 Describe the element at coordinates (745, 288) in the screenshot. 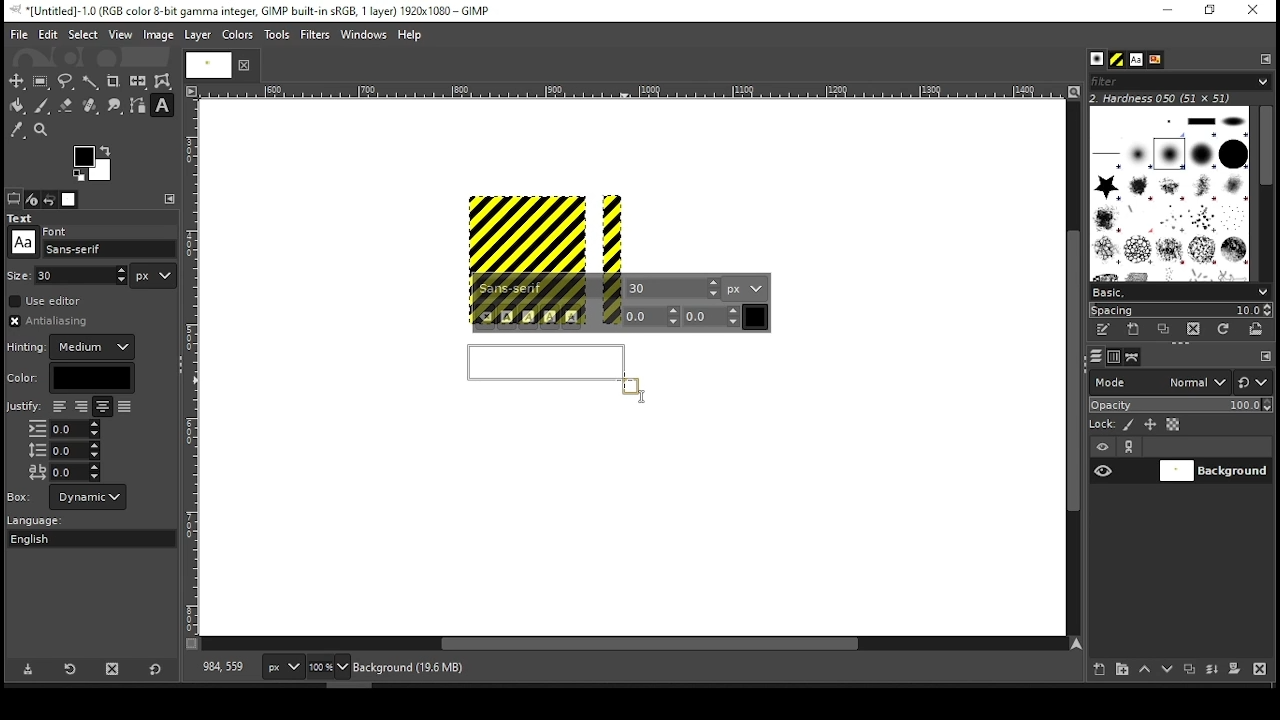

I see `units` at that location.